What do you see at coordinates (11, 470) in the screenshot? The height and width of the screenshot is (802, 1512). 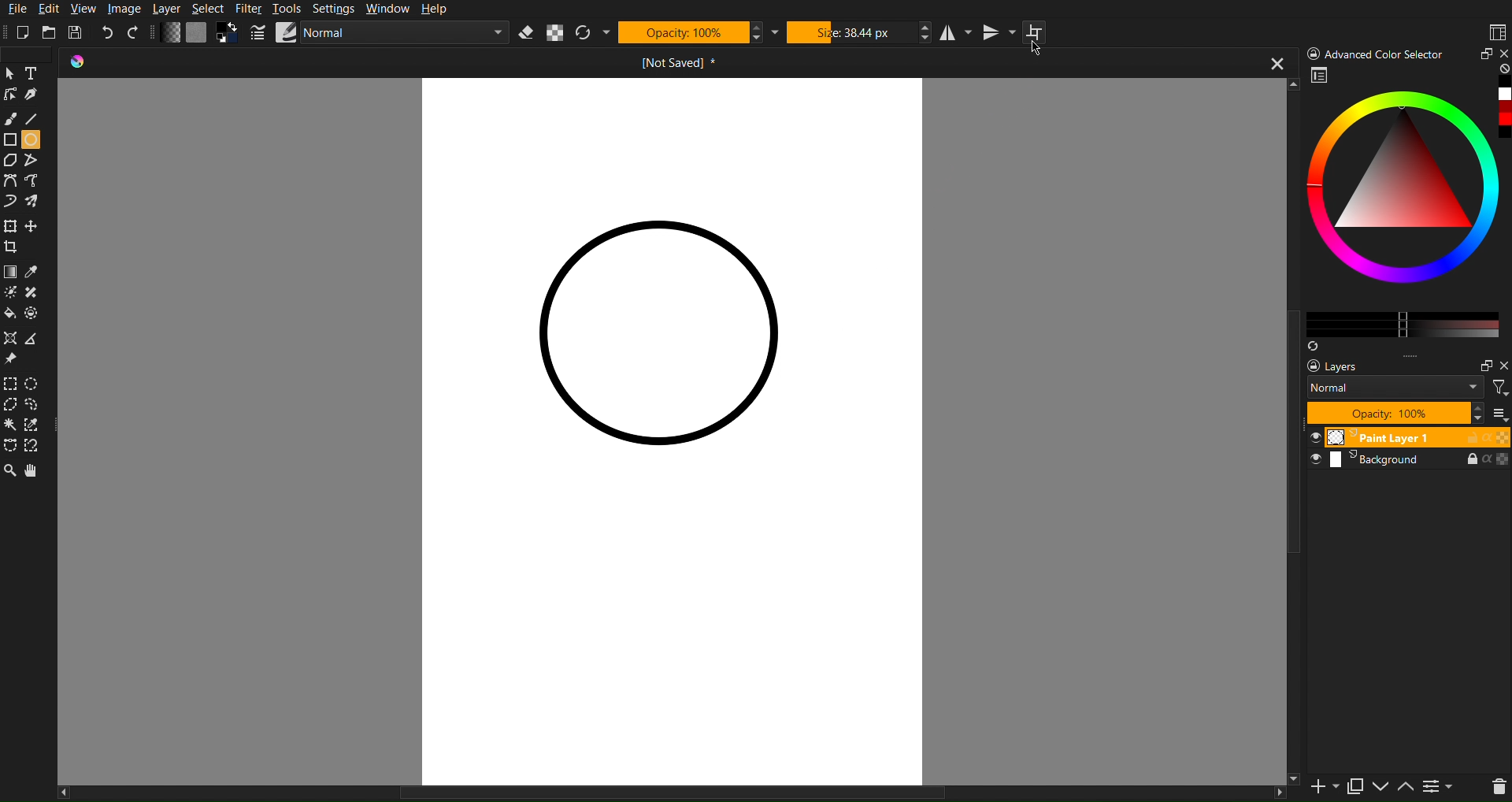 I see `Zoom ` at bounding box center [11, 470].